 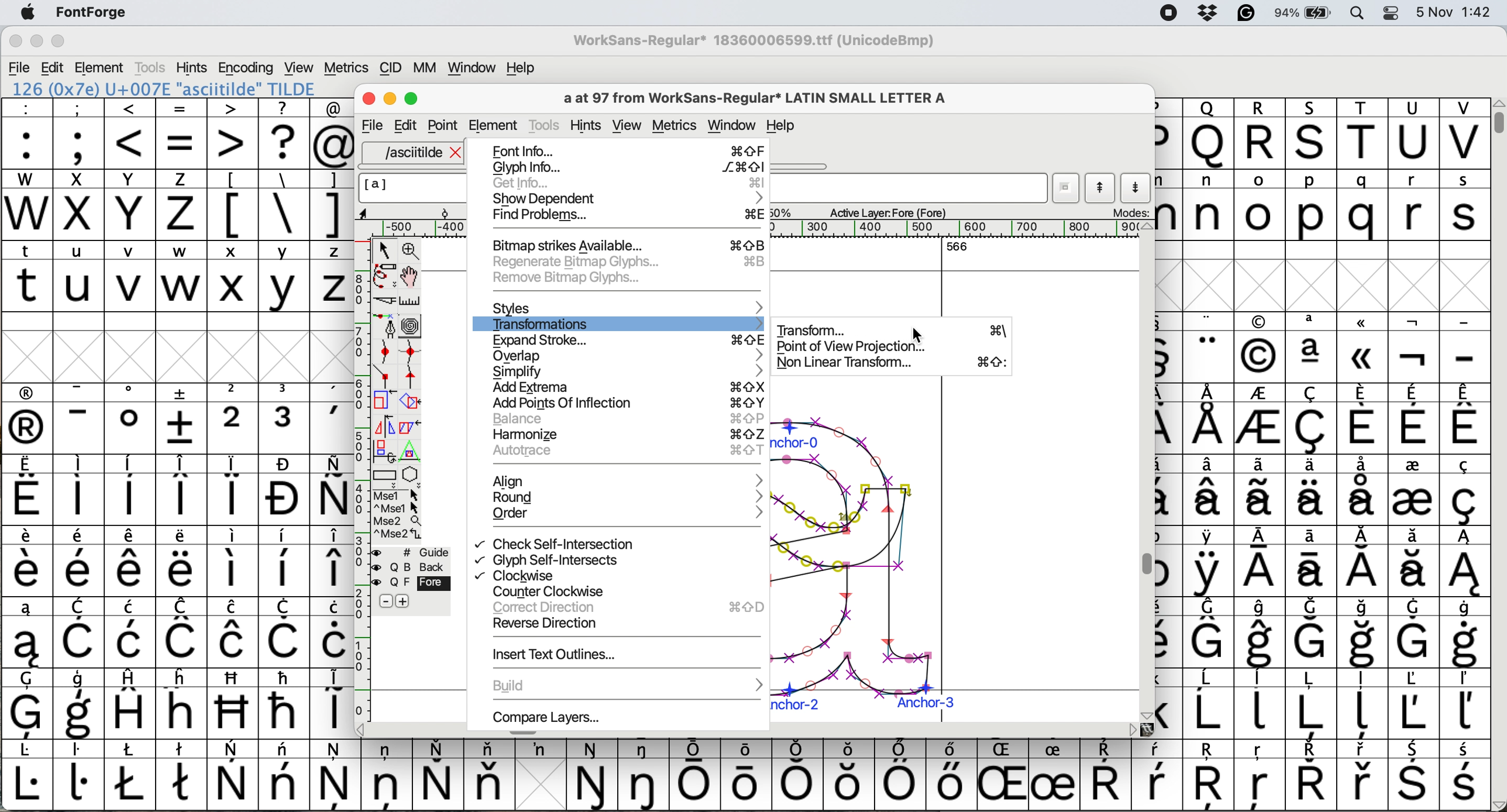 I want to click on guide, so click(x=418, y=550).